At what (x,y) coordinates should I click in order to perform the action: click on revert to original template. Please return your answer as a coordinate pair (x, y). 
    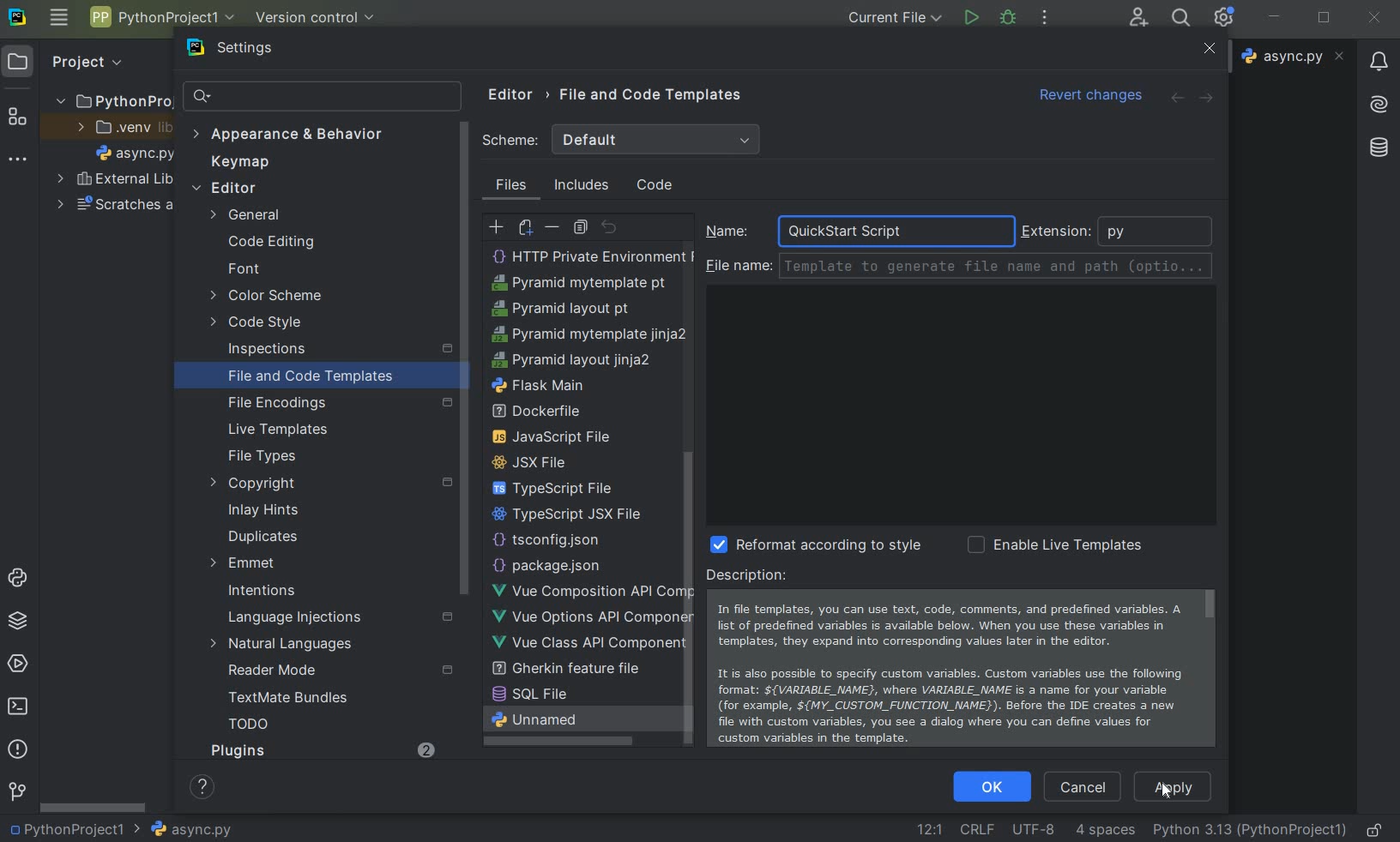
    Looking at the image, I should click on (611, 227).